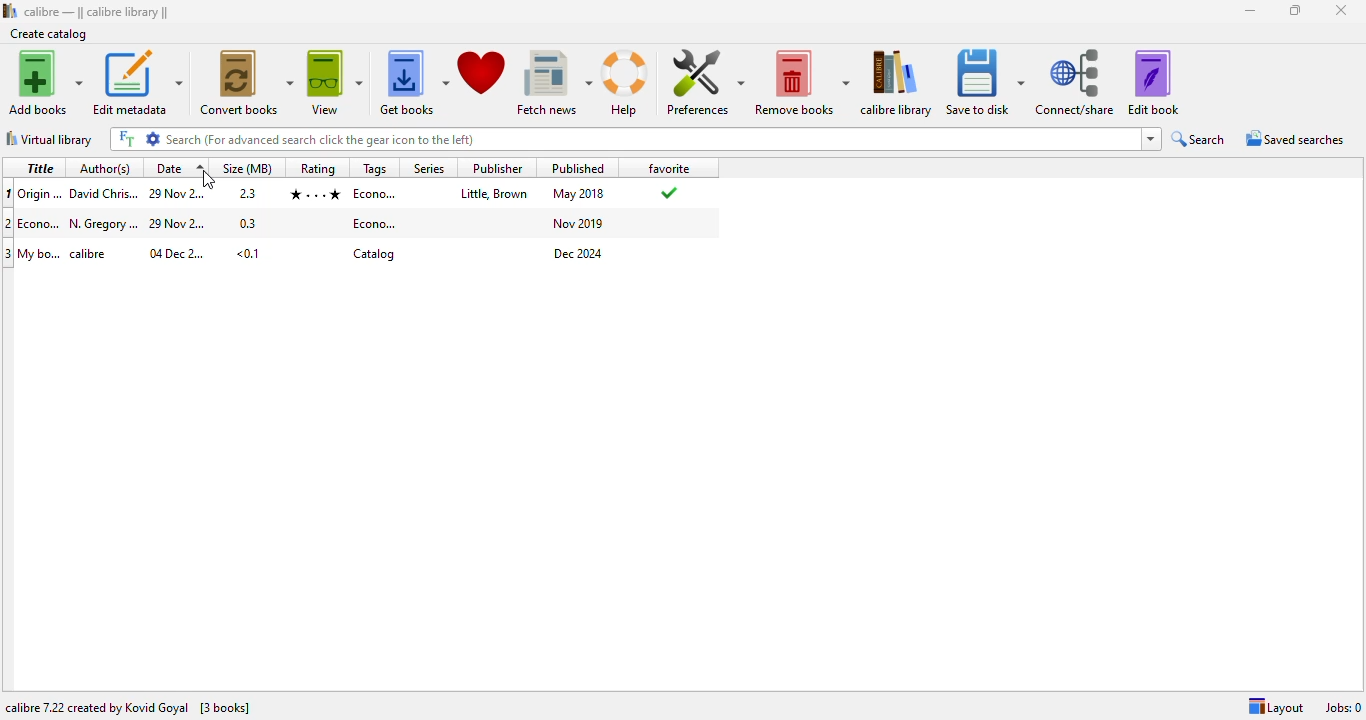  I want to click on author, so click(103, 223).